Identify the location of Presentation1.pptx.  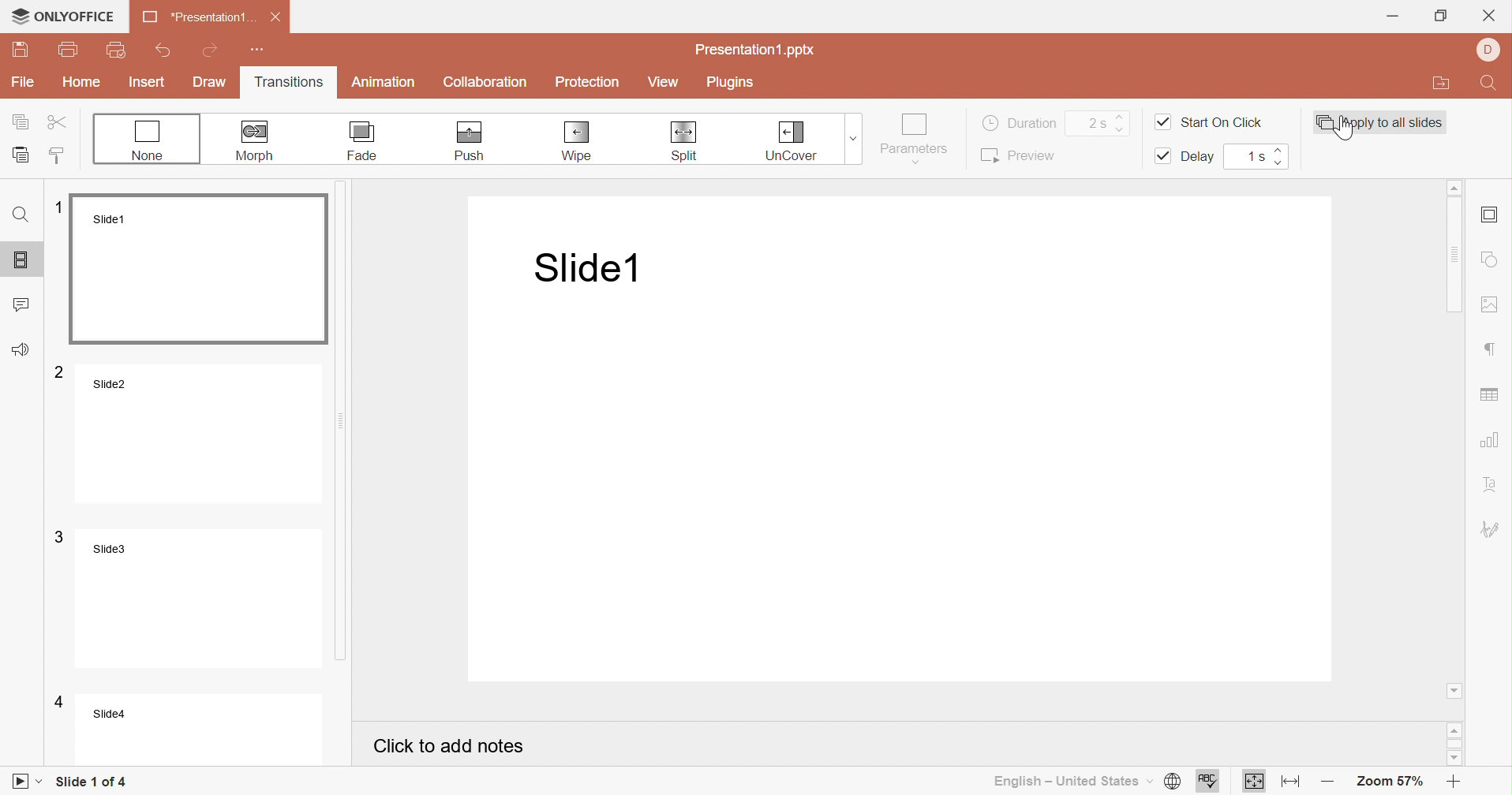
(756, 52).